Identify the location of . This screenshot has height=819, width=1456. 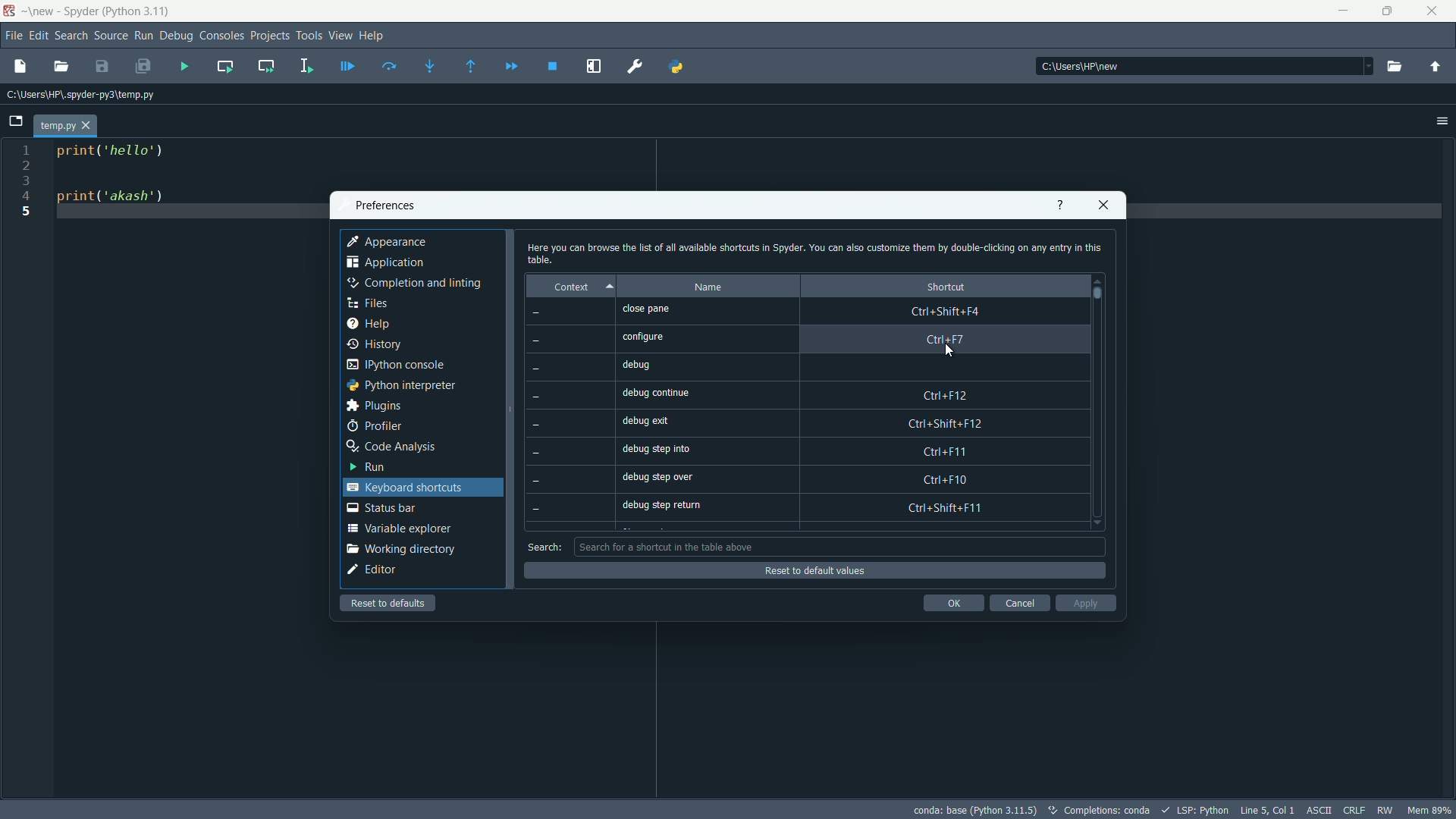
(413, 284).